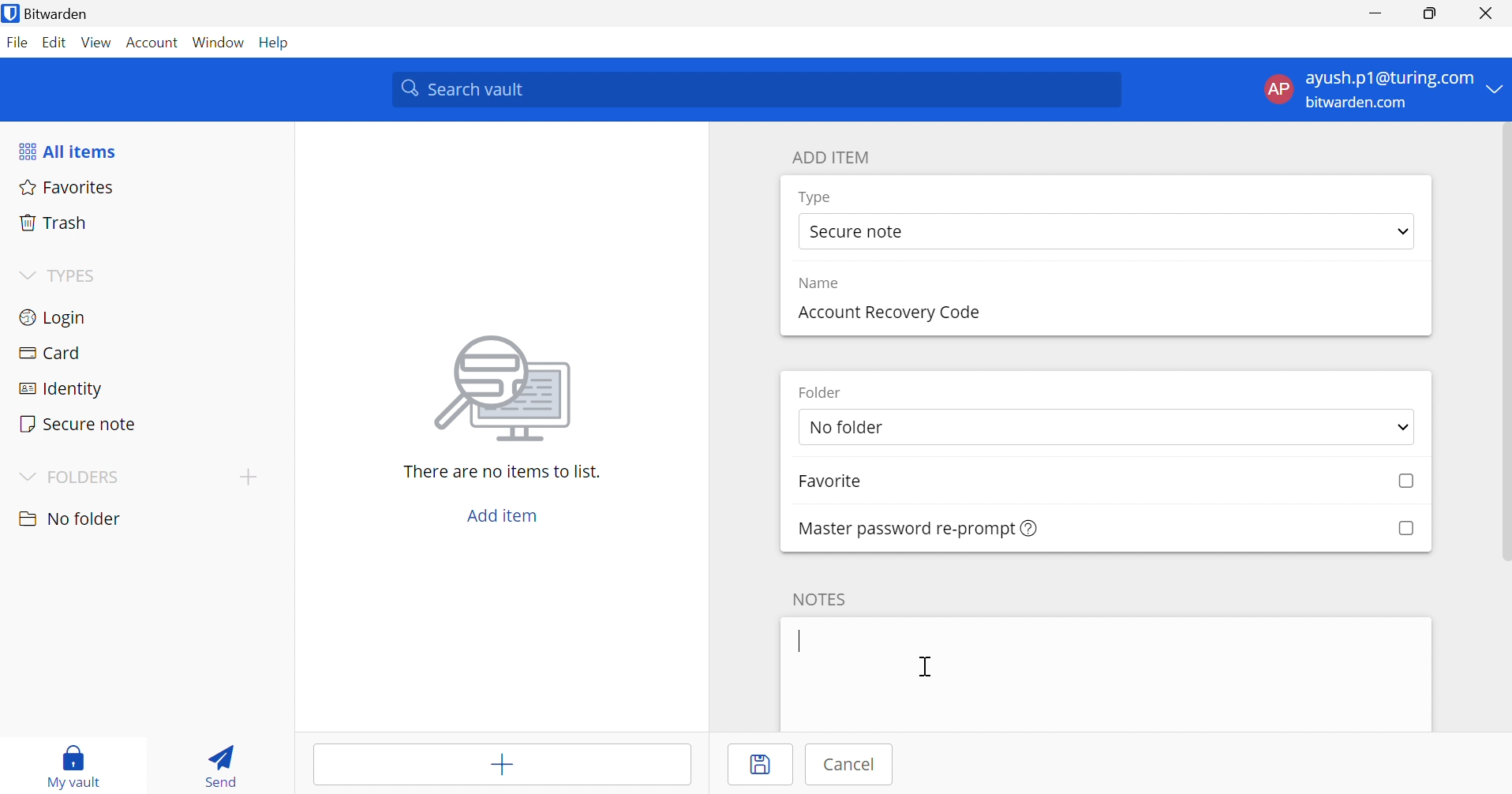 The image size is (1512, 794). I want to click on All items, so click(71, 153).